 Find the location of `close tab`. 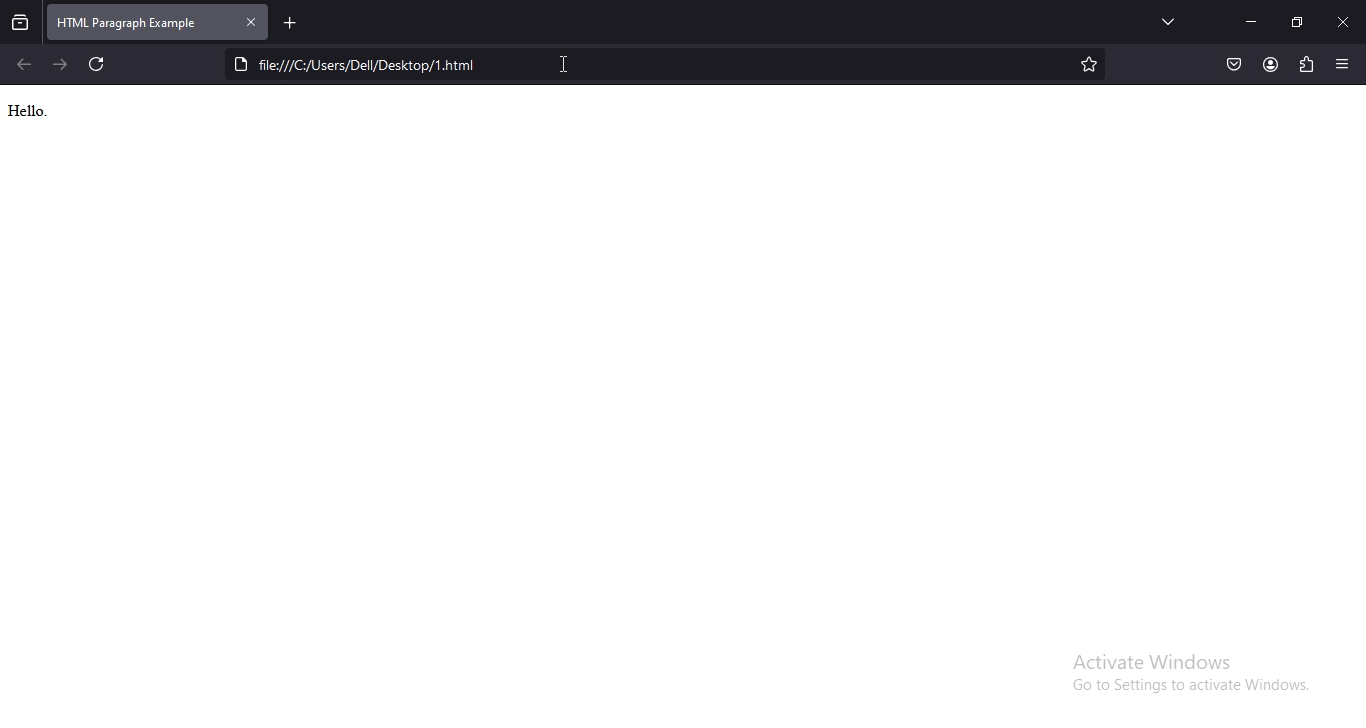

close tab is located at coordinates (252, 23).